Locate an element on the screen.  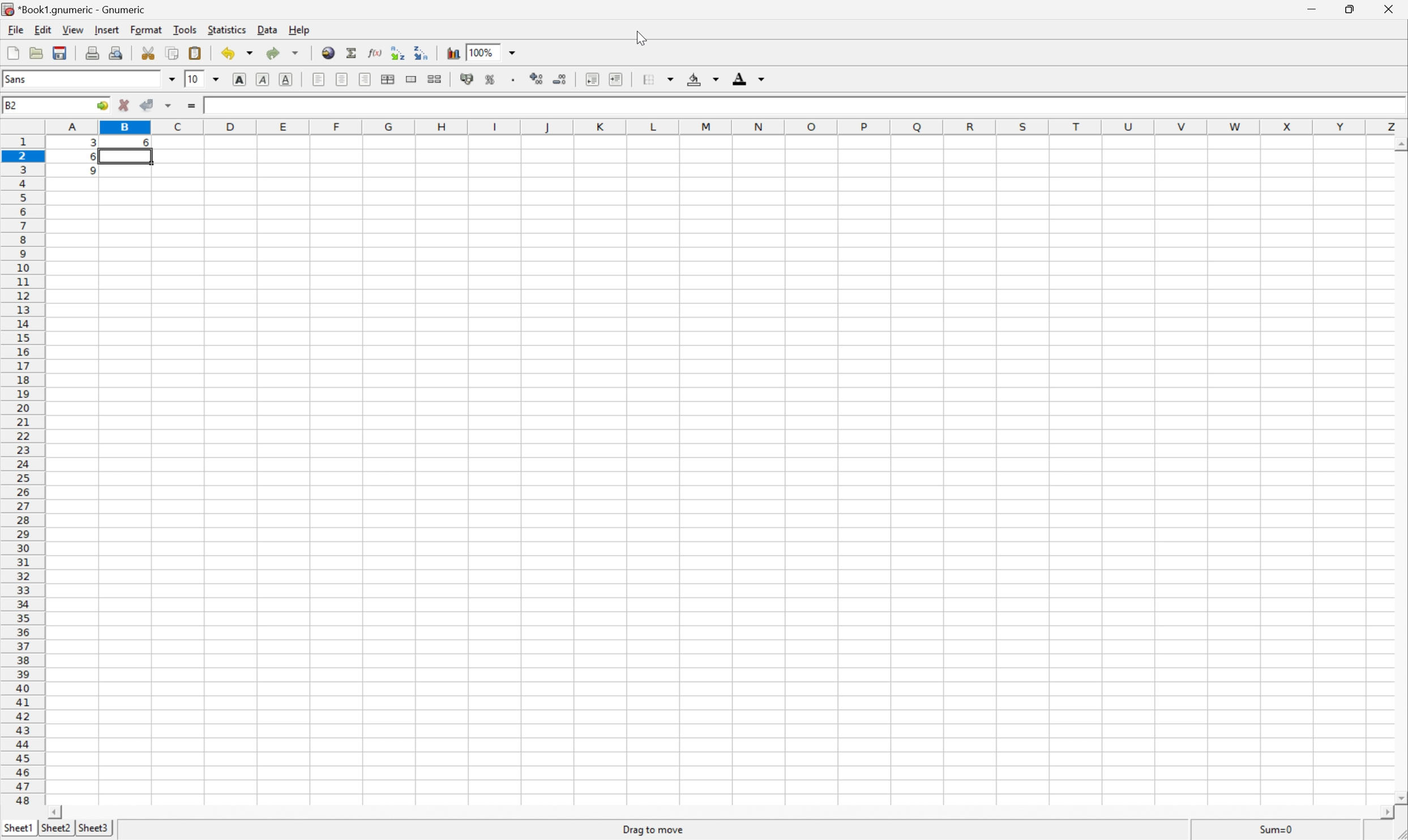
Insert a chart is located at coordinates (454, 53).